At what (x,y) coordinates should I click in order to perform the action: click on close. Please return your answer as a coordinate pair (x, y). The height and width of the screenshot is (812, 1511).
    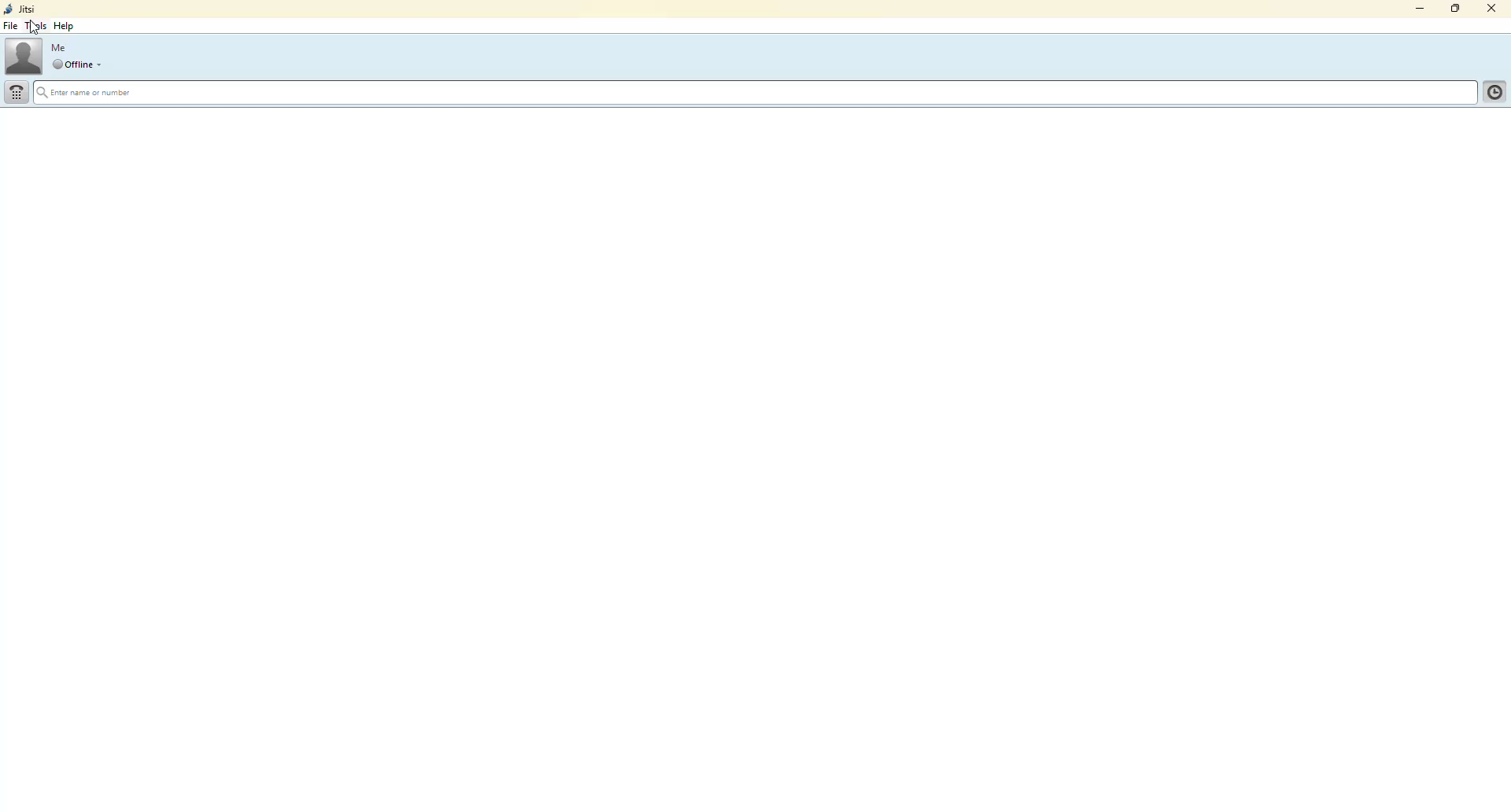
    Looking at the image, I should click on (1494, 8).